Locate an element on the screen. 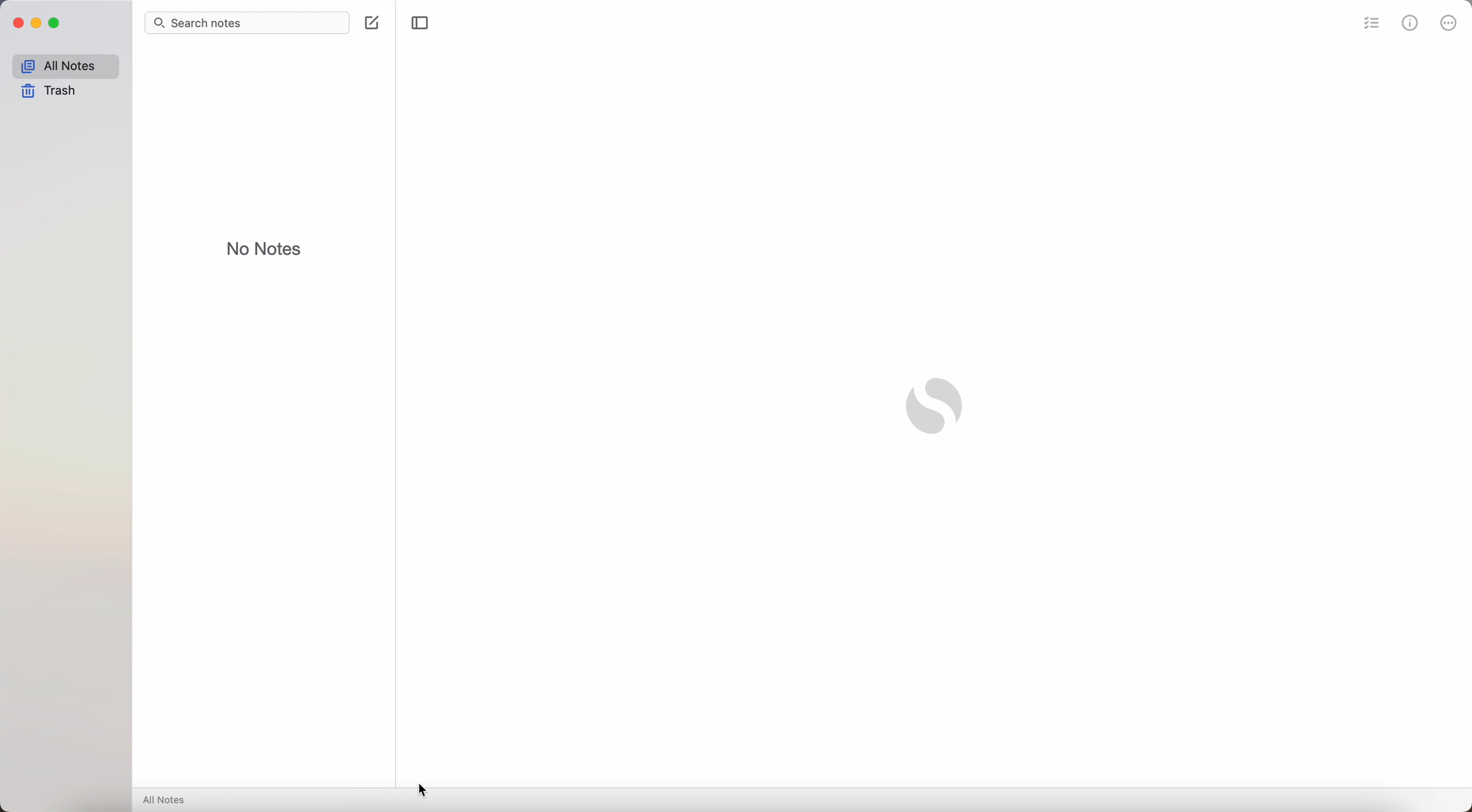  search bar is located at coordinates (247, 23).